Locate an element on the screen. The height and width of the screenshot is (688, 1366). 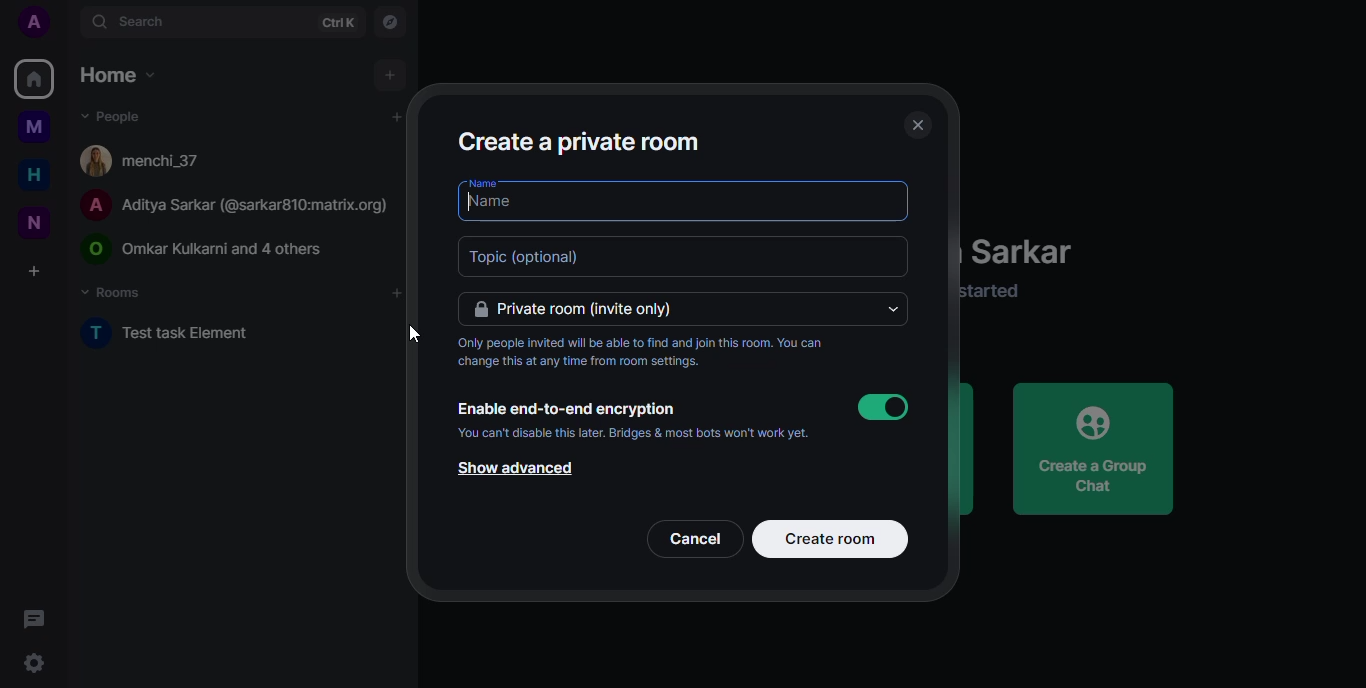
You can't disable this later. Bridges & most bots won't work yet. is located at coordinates (639, 432).